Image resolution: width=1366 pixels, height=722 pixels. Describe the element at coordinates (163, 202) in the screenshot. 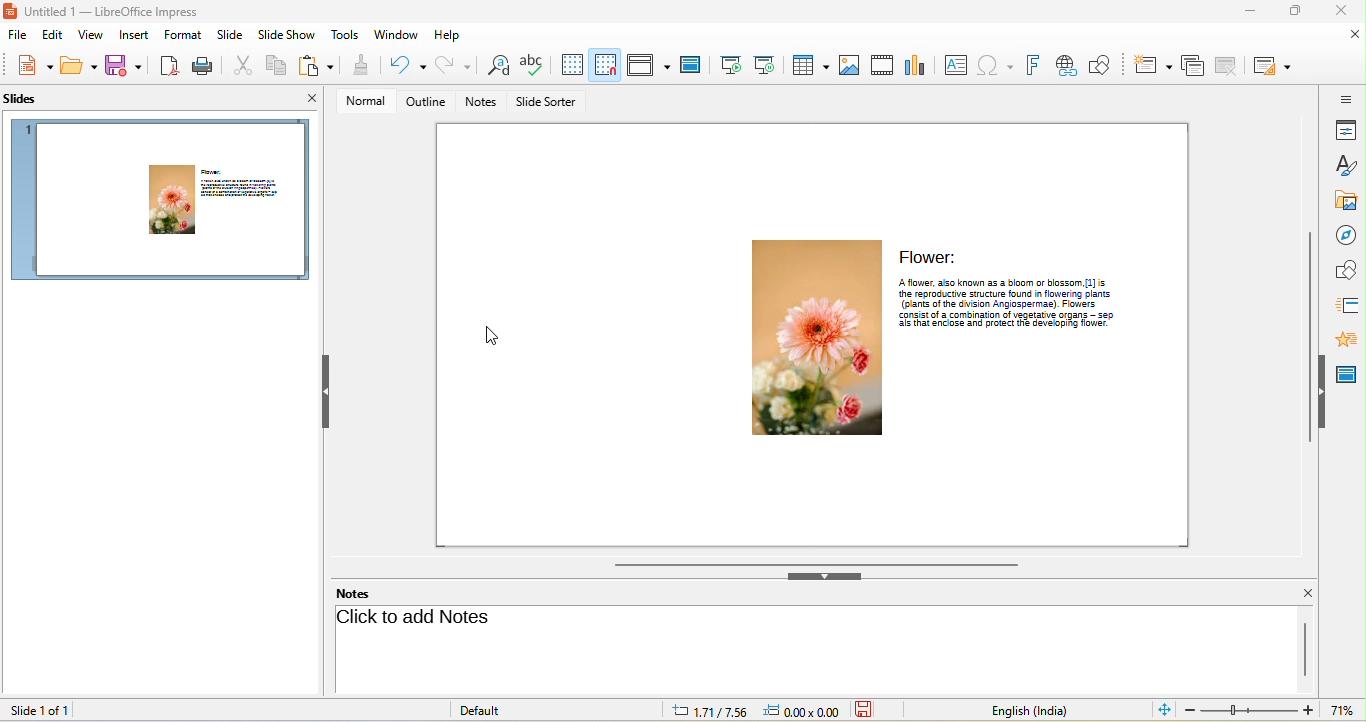

I see `slide 1` at that location.